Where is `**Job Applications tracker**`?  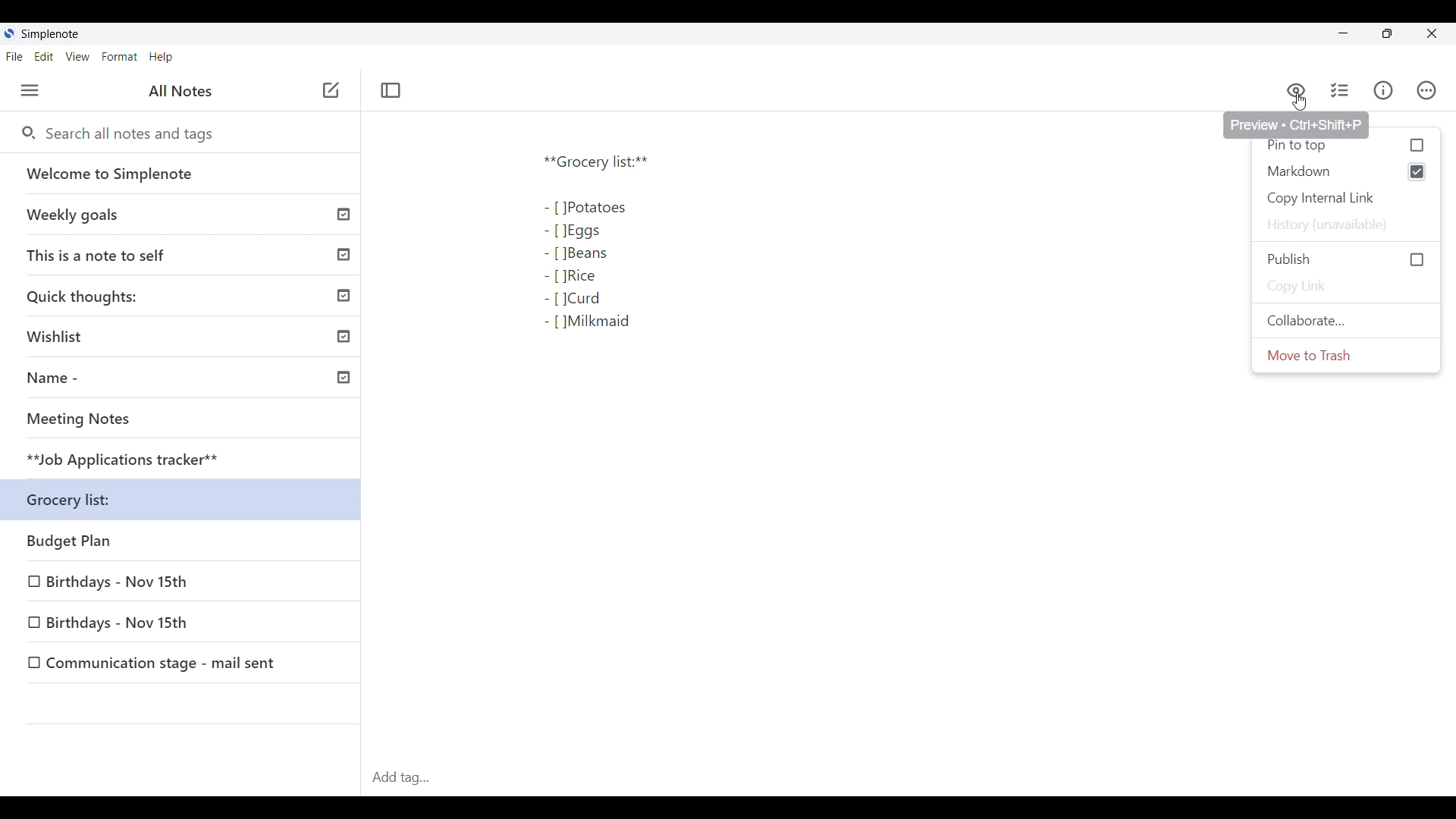 **Job Applications tracker** is located at coordinates (185, 460).